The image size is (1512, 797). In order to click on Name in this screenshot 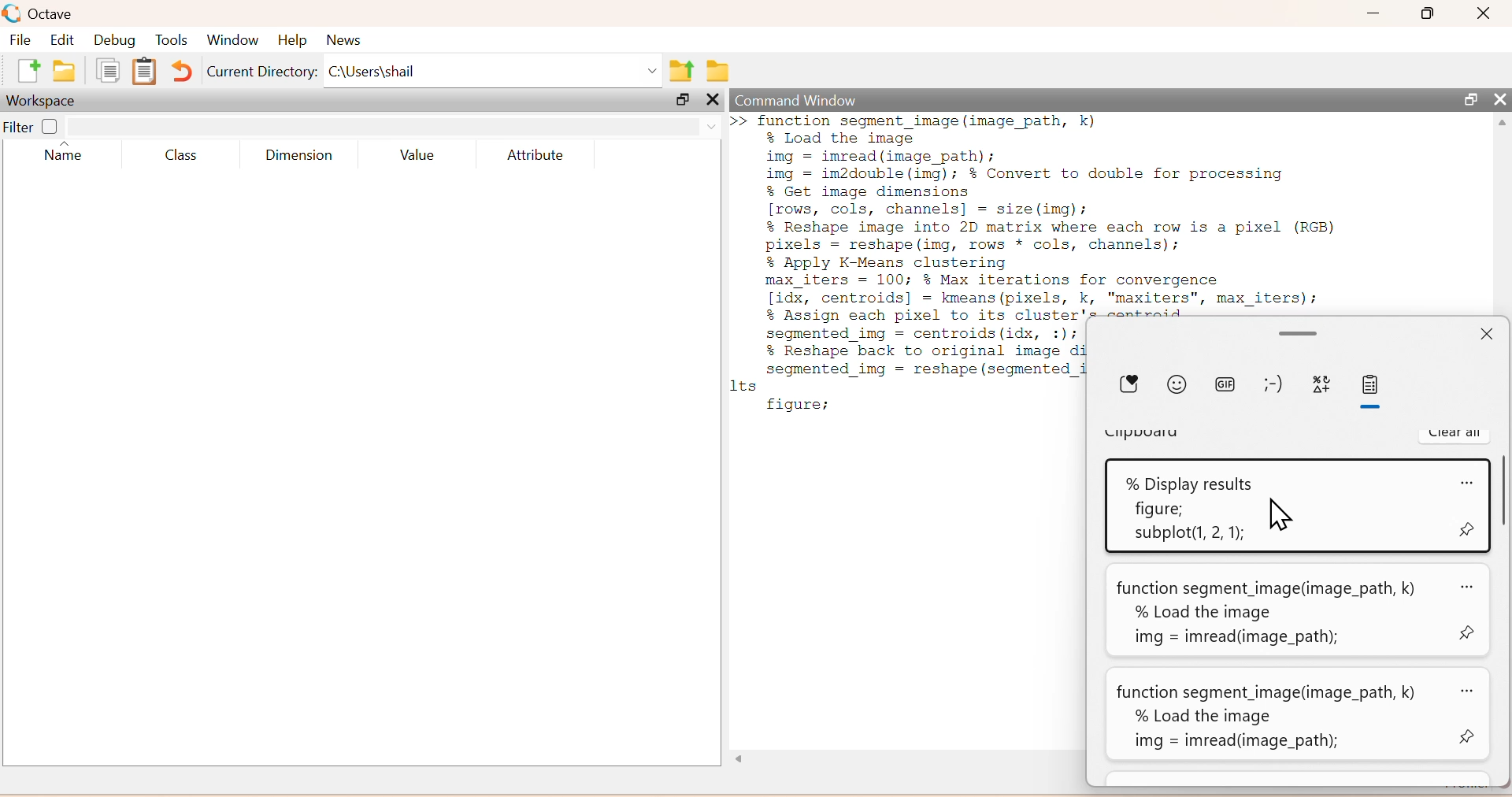, I will do `click(65, 154)`.